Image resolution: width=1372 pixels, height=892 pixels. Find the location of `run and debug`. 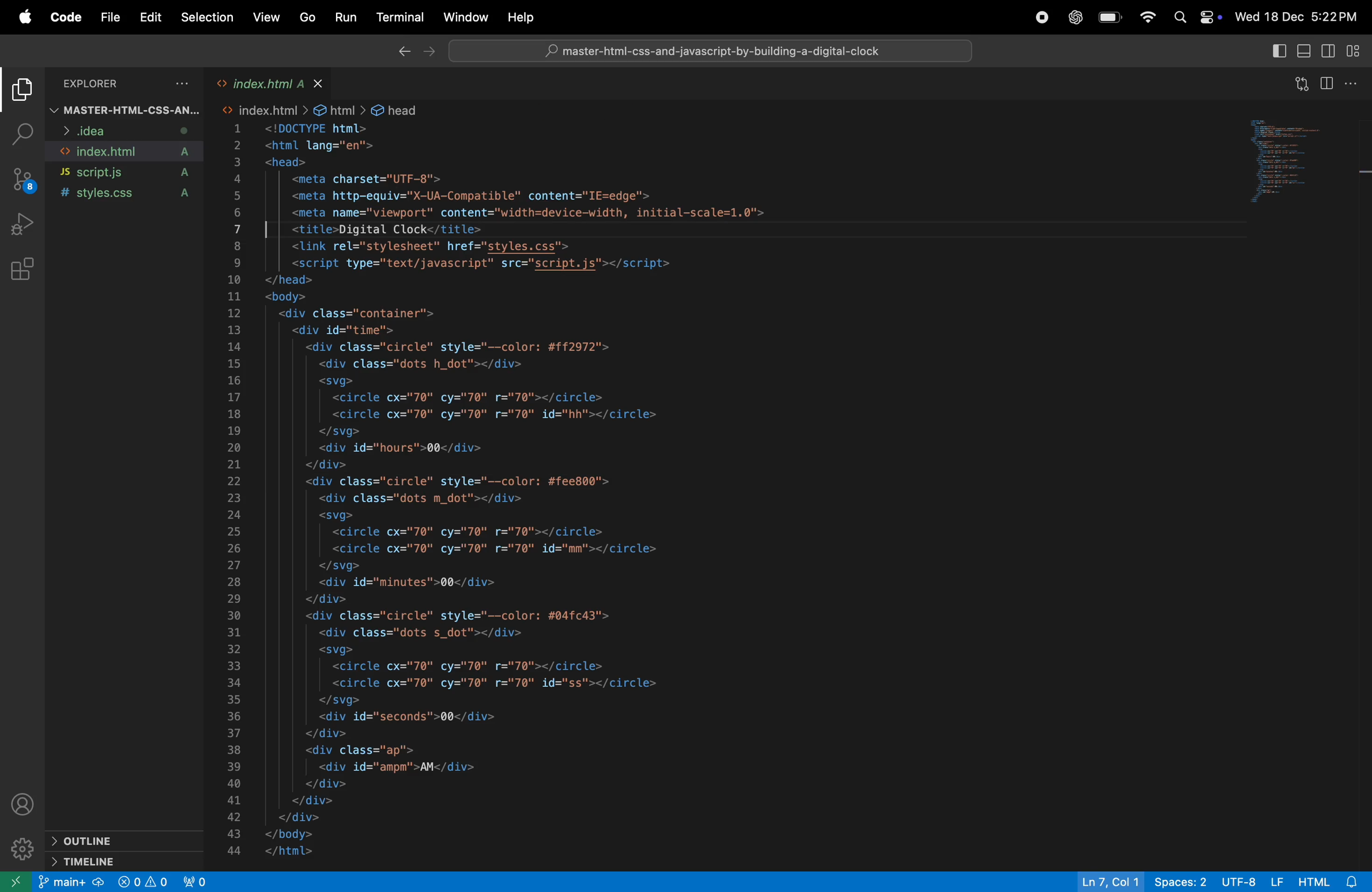

run and debug is located at coordinates (24, 225).